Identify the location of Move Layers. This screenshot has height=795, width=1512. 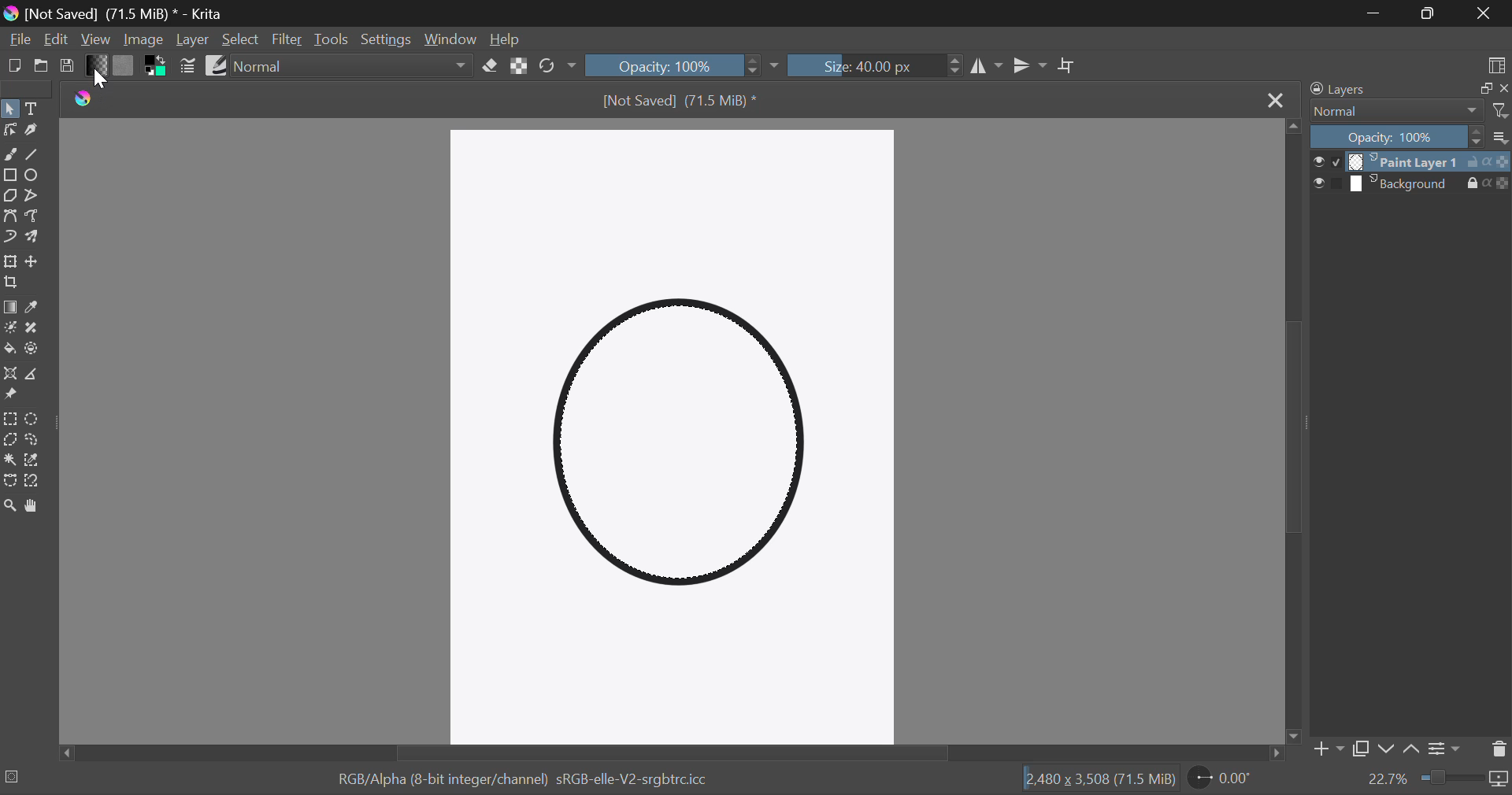
(35, 264).